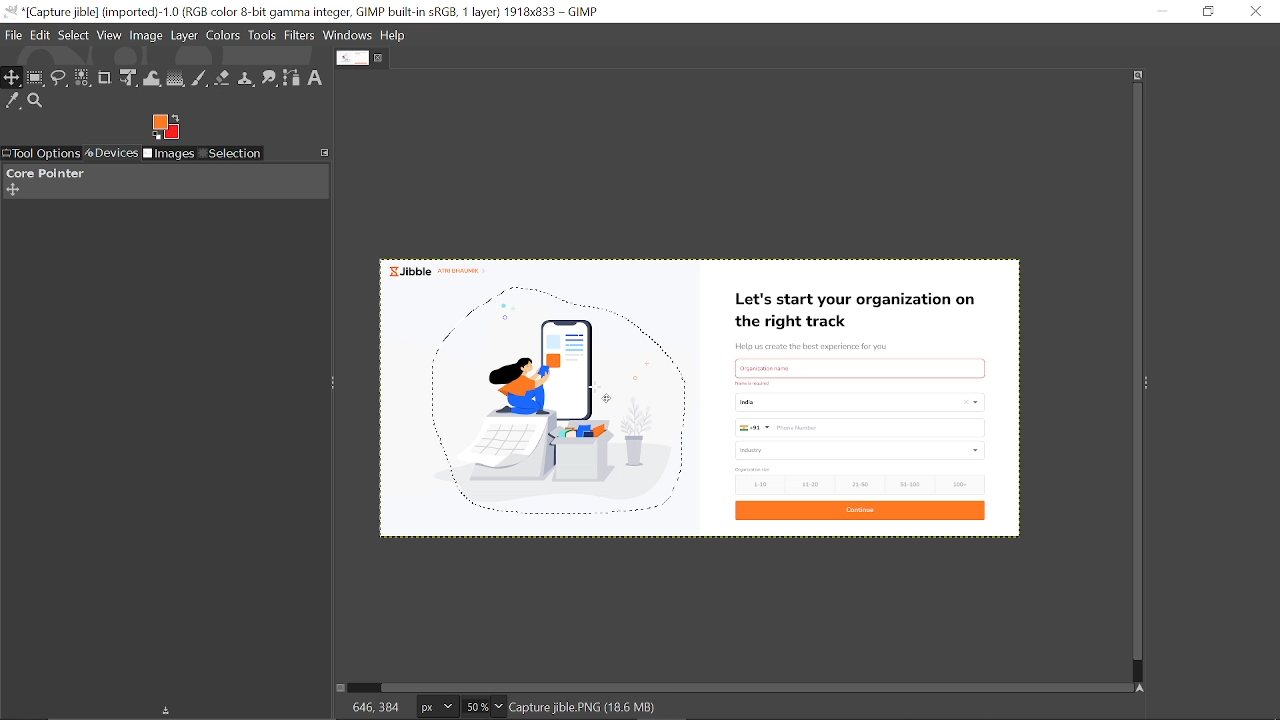 Image resolution: width=1280 pixels, height=720 pixels. Describe the element at coordinates (13, 102) in the screenshot. I see `Color picker tool` at that location.